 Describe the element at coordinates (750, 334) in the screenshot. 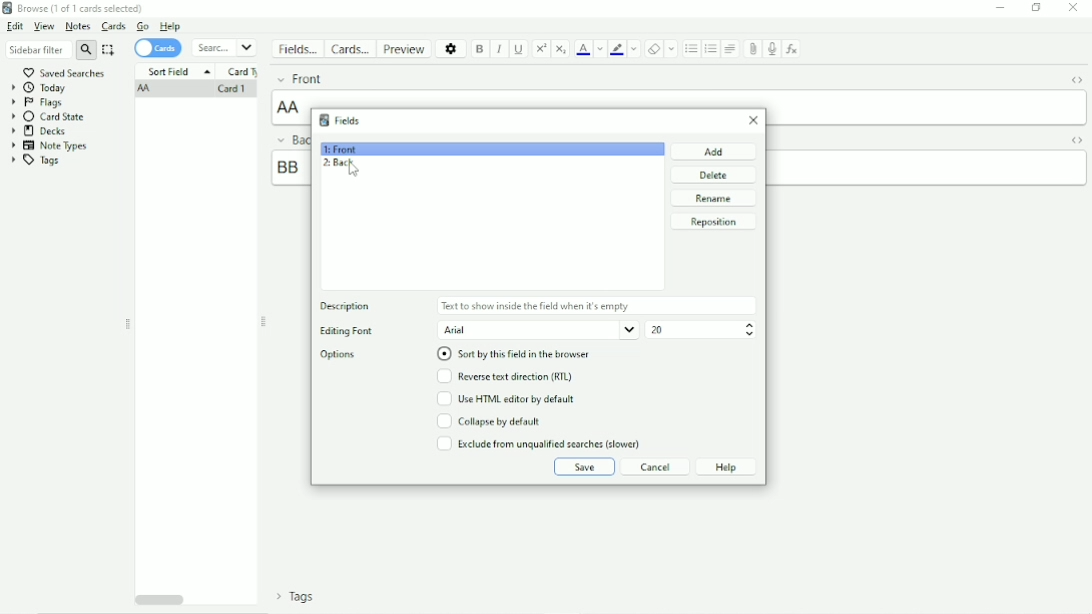

I see `Decrement value` at that location.